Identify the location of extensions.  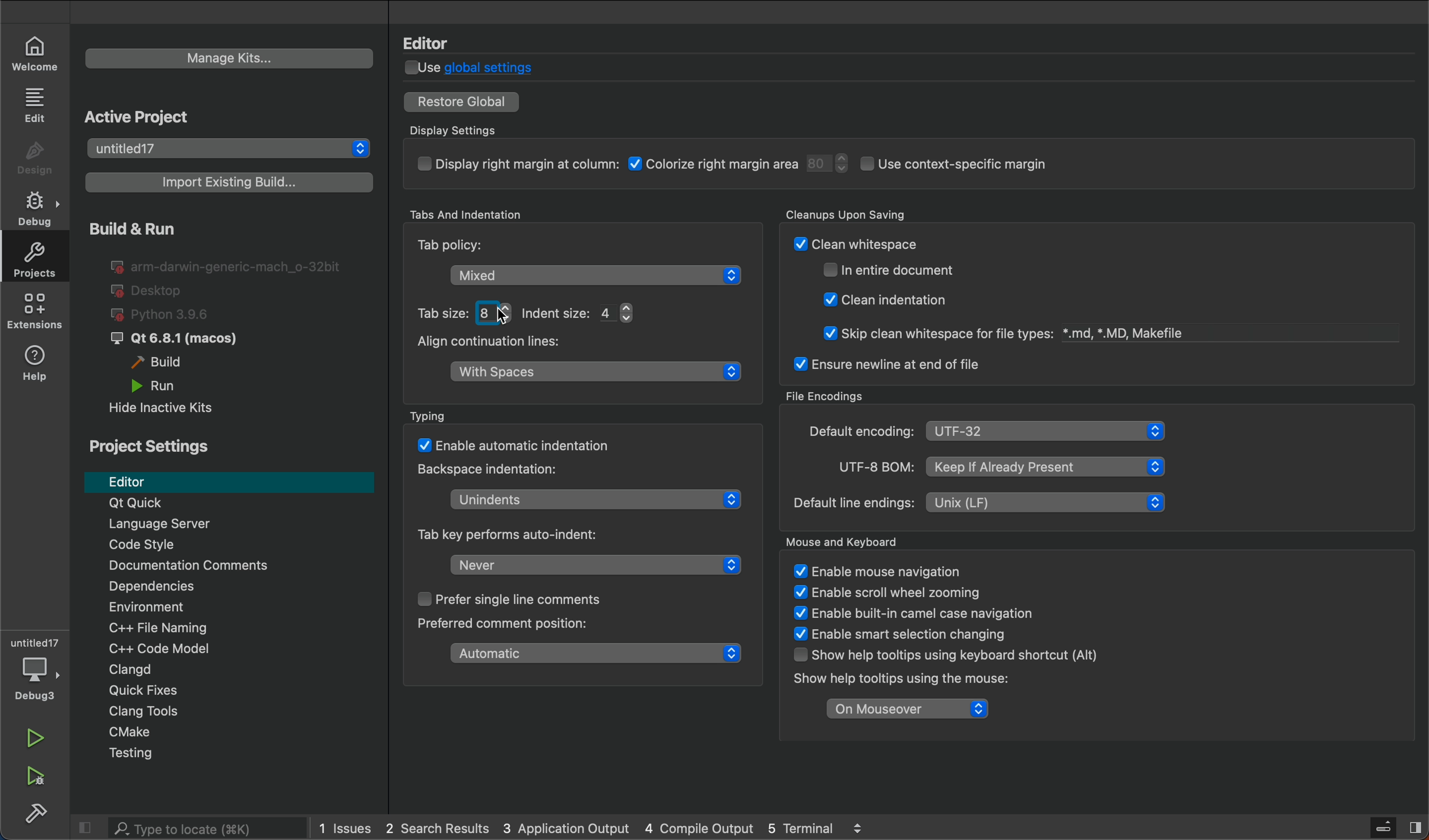
(39, 313).